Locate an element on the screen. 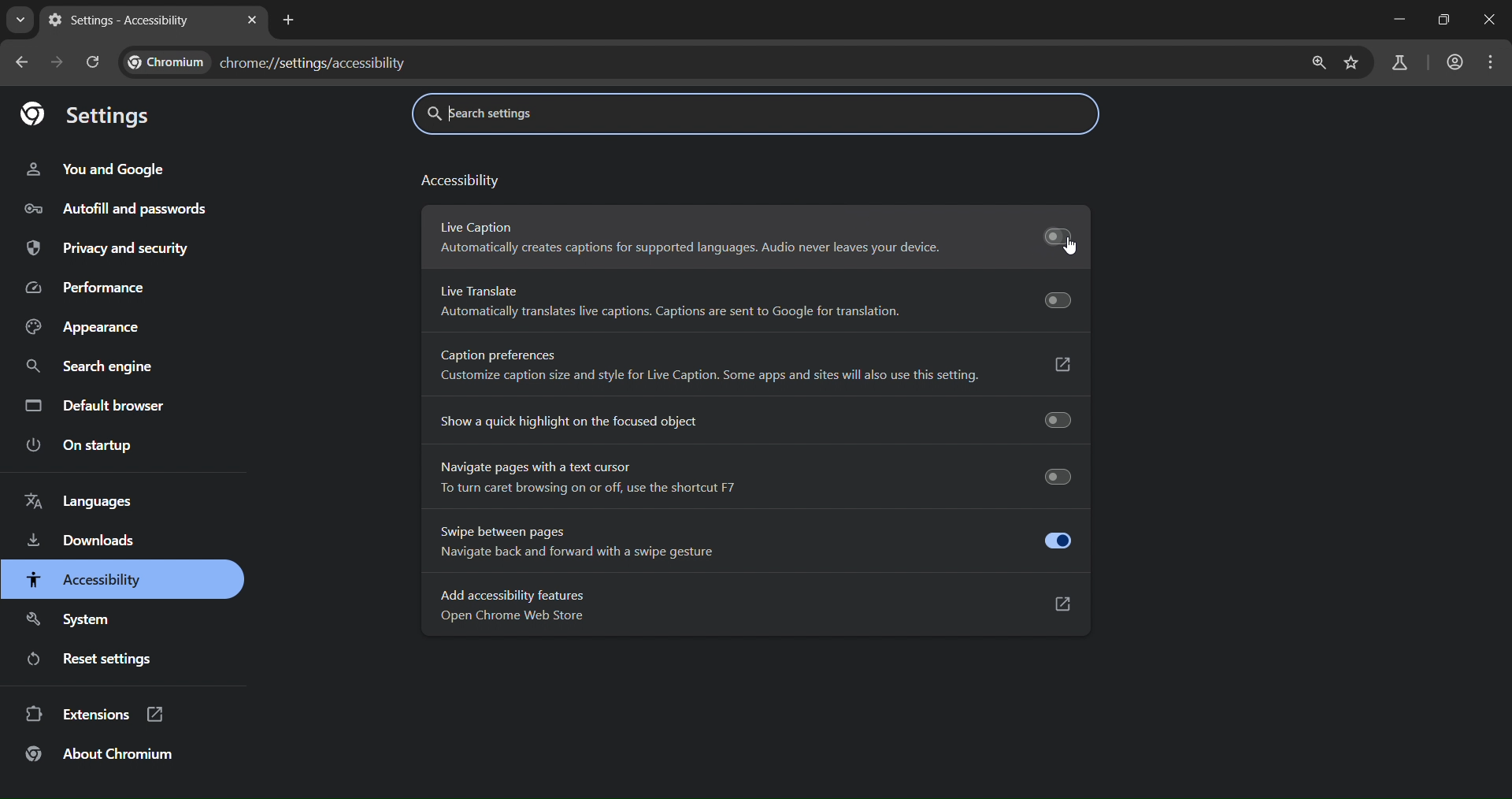 Image resolution: width=1512 pixels, height=799 pixels. chrome://settings/accessibility is located at coordinates (278, 60).